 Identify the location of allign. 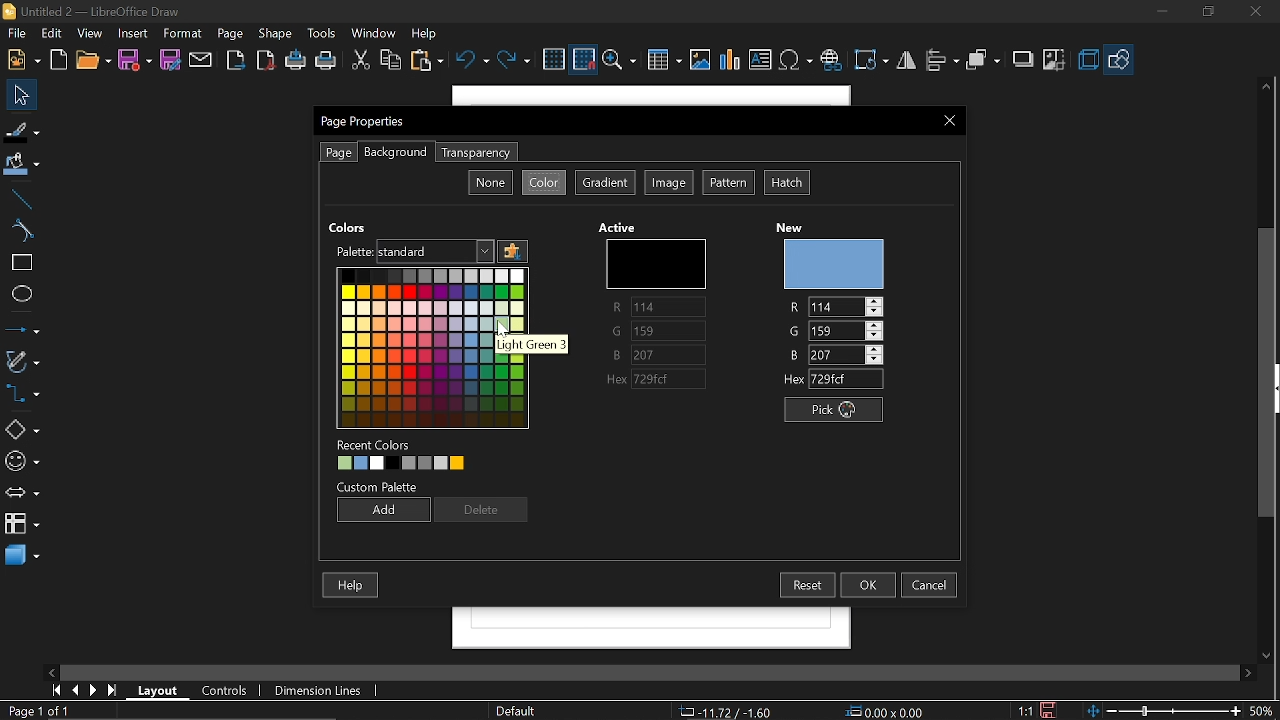
(942, 62).